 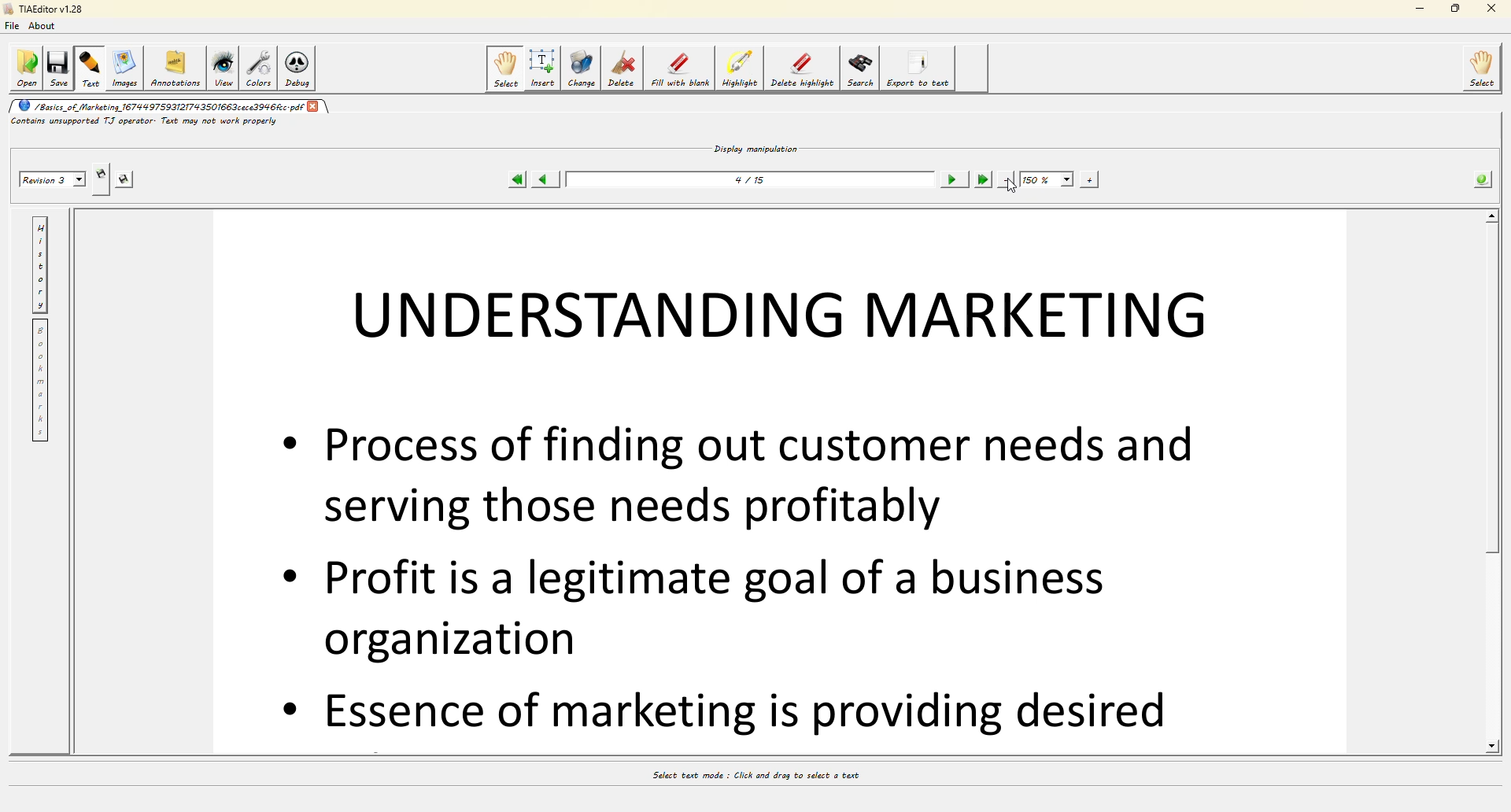 What do you see at coordinates (507, 68) in the screenshot?
I see `select` at bounding box center [507, 68].